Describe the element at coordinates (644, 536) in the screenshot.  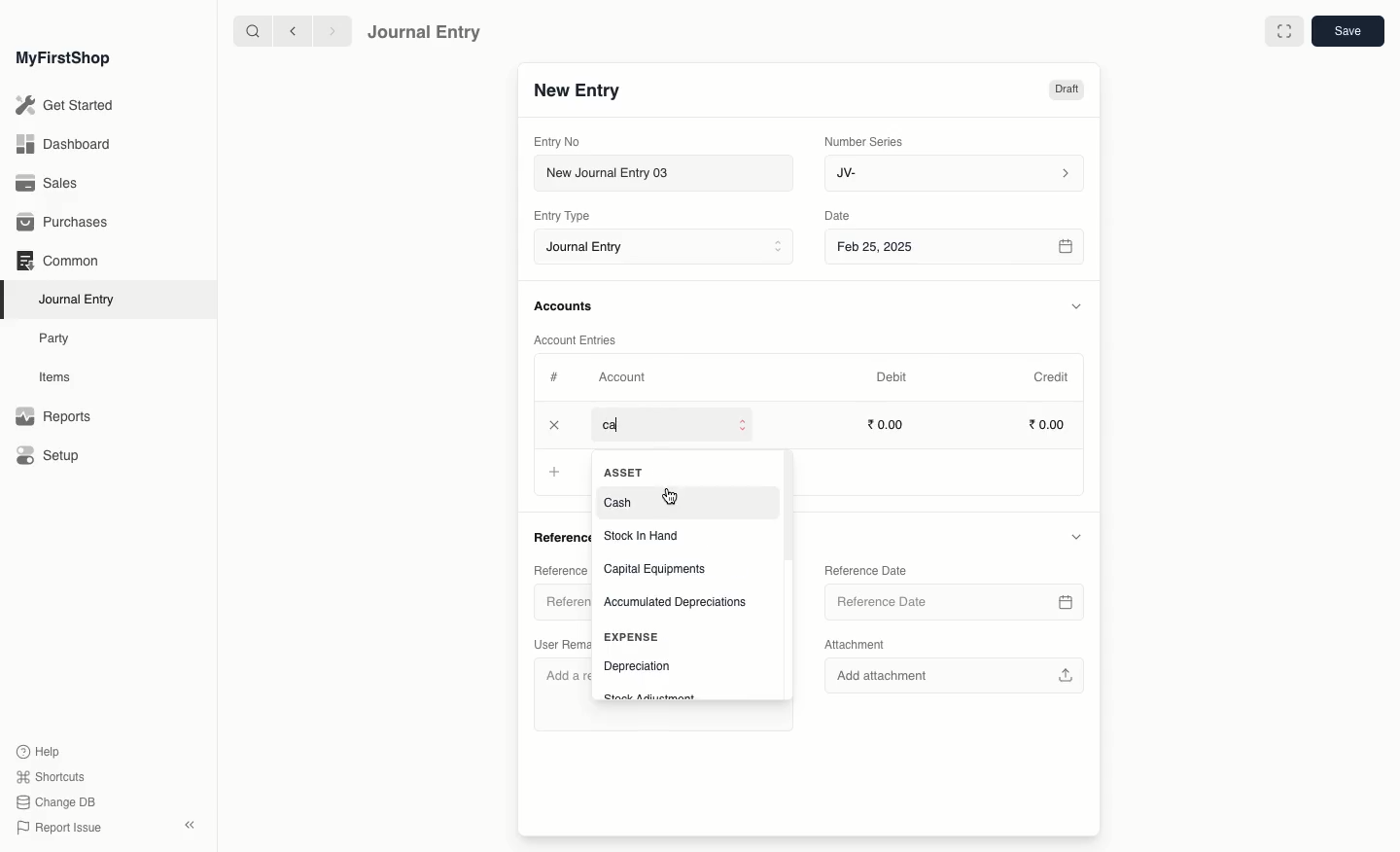
I see `Stock In Hand` at that location.